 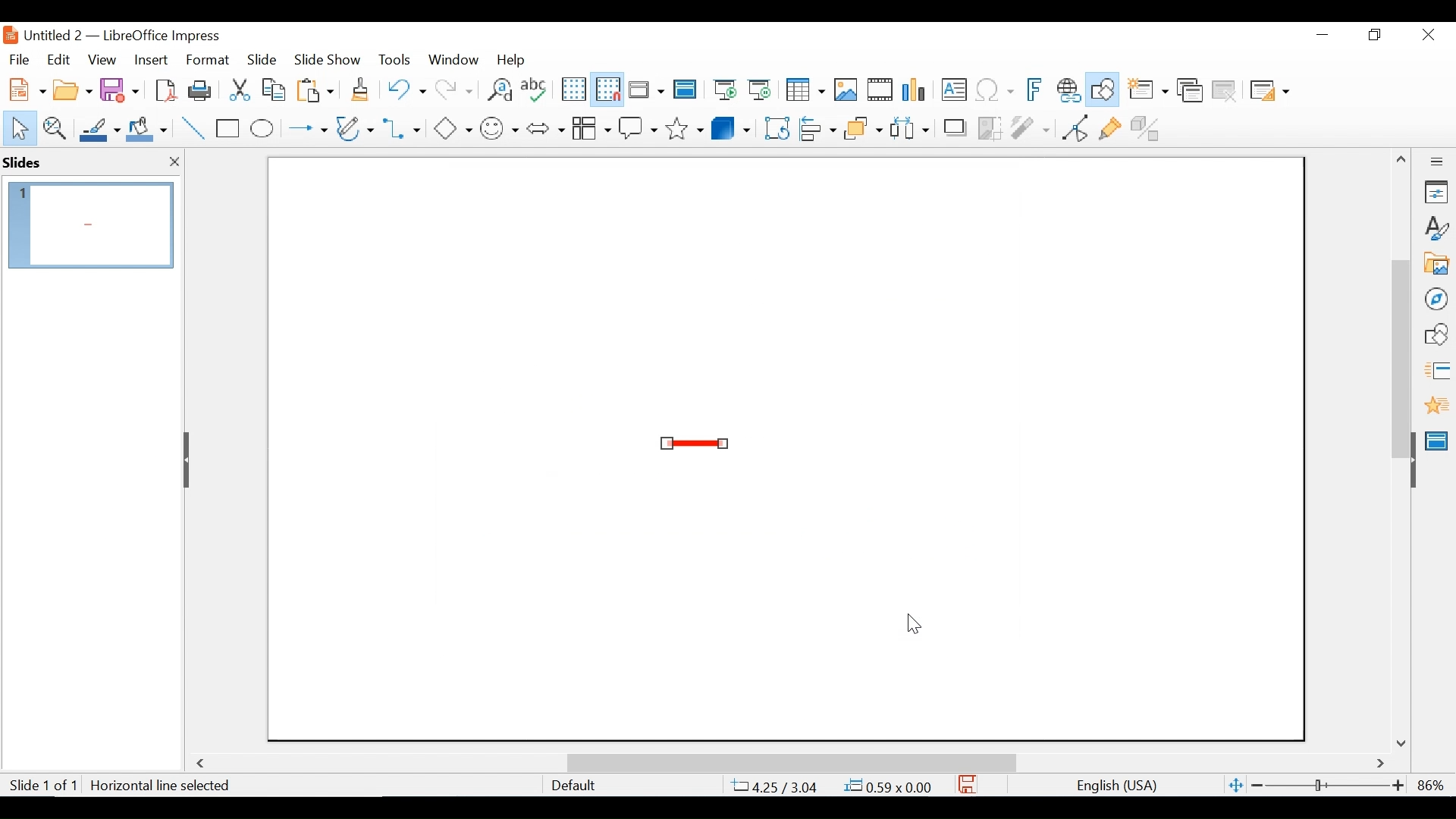 What do you see at coordinates (952, 91) in the screenshot?
I see `Insert Textbox` at bounding box center [952, 91].